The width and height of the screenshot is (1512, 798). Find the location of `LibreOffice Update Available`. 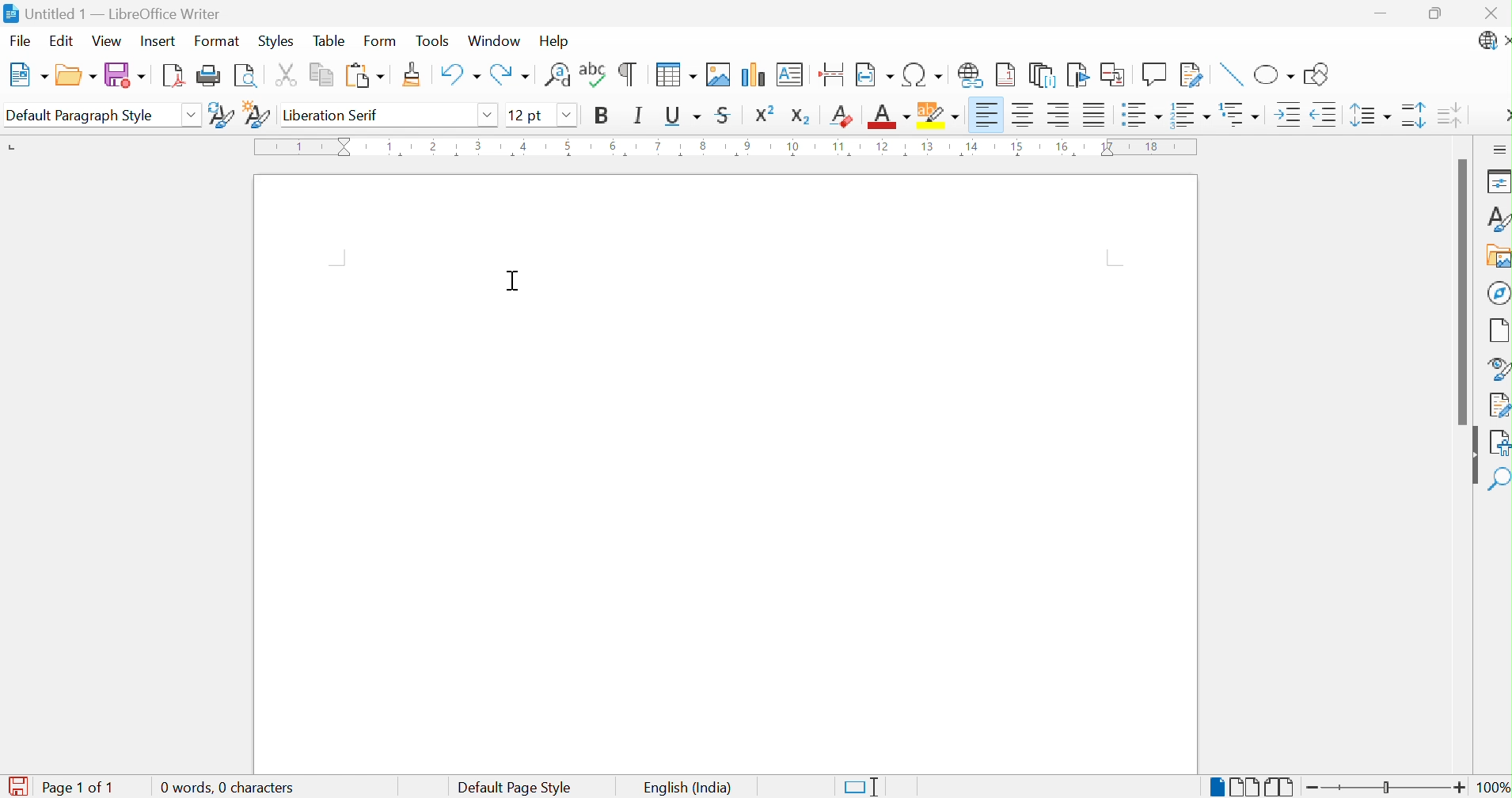

LibreOffice Update Available is located at coordinates (1493, 43).